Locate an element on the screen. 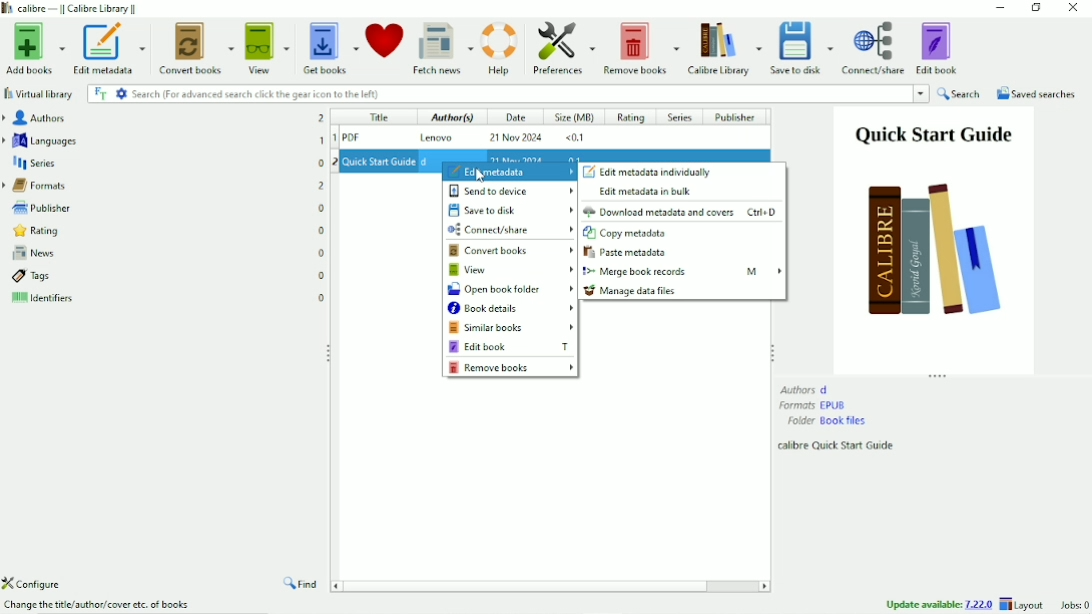 This screenshot has width=1092, height=614. Connect/Share is located at coordinates (510, 229).